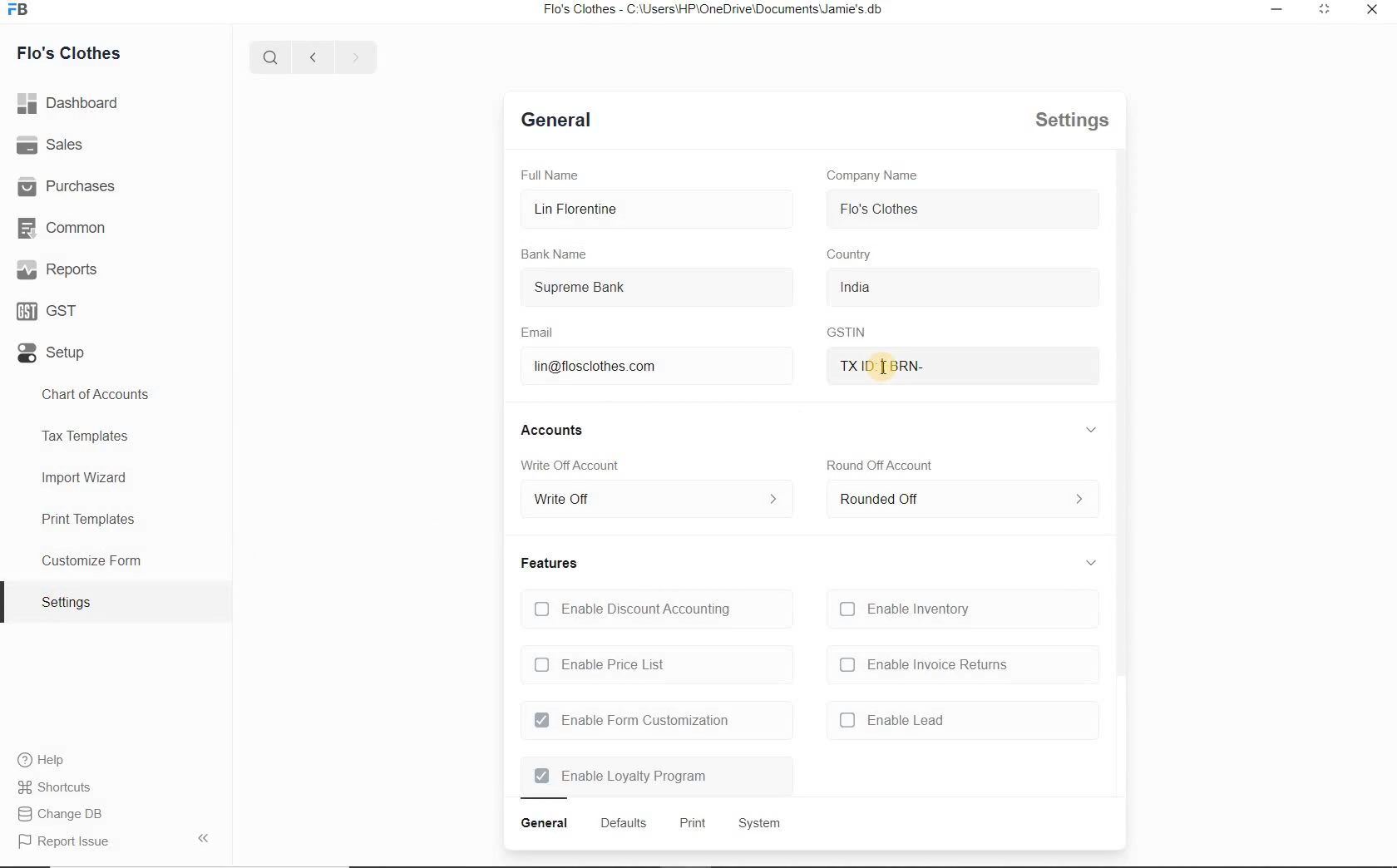  Describe the element at coordinates (885, 366) in the screenshot. I see `txid brn` at that location.